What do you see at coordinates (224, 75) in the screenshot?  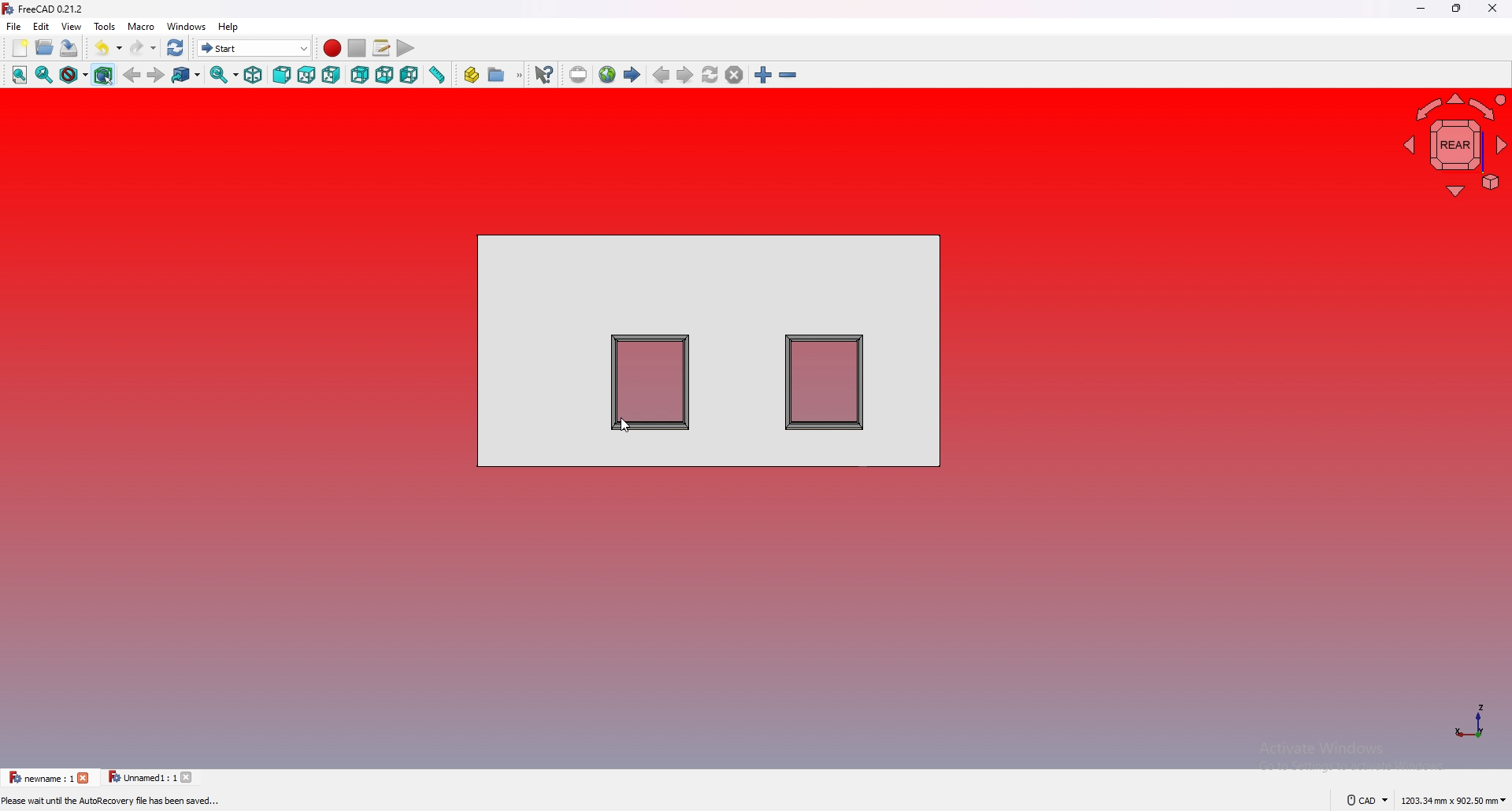 I see `synced view` at bounding box center [224, 75].